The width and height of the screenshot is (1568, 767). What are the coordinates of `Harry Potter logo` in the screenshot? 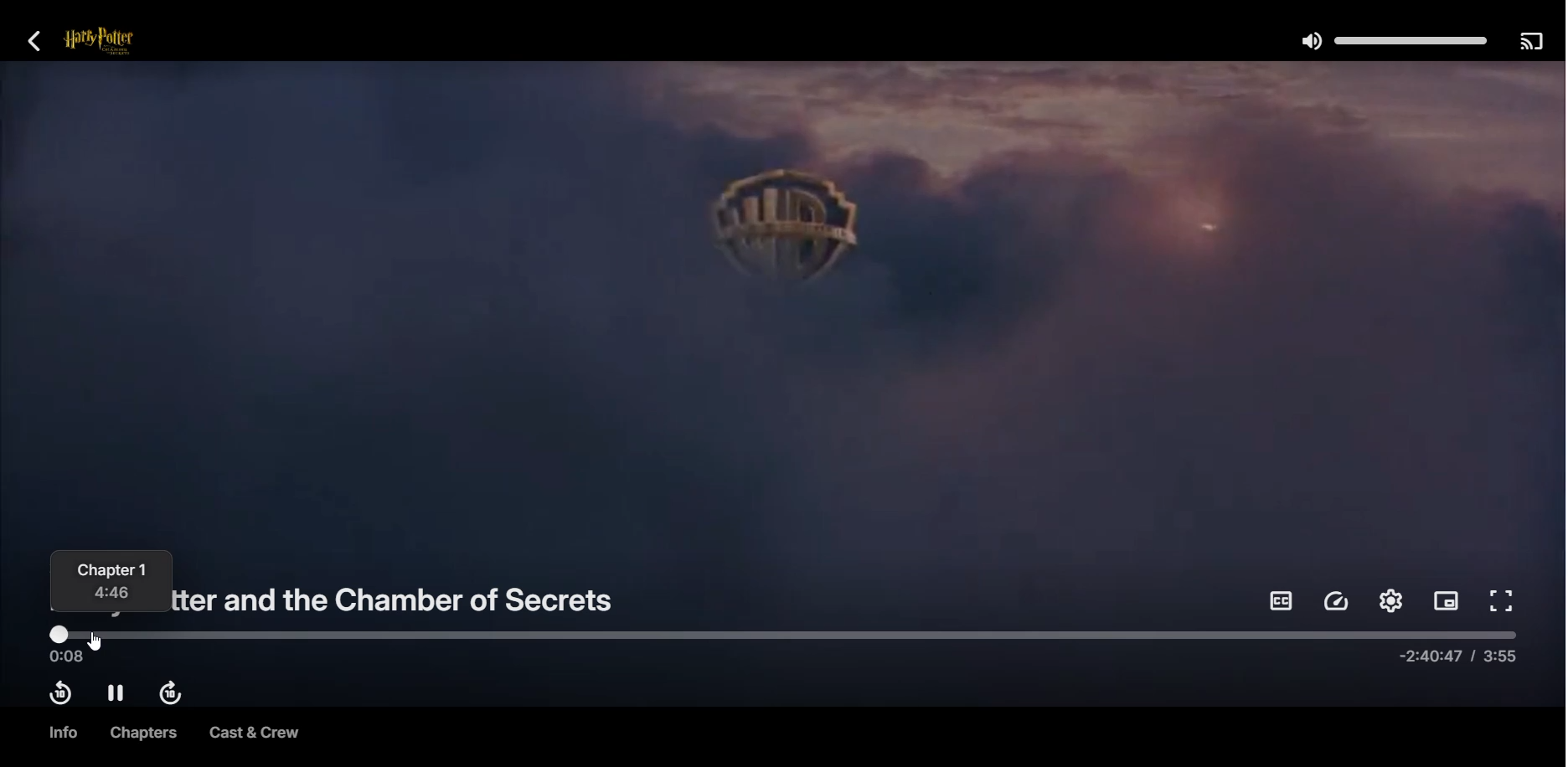 It's located at (121, 42).